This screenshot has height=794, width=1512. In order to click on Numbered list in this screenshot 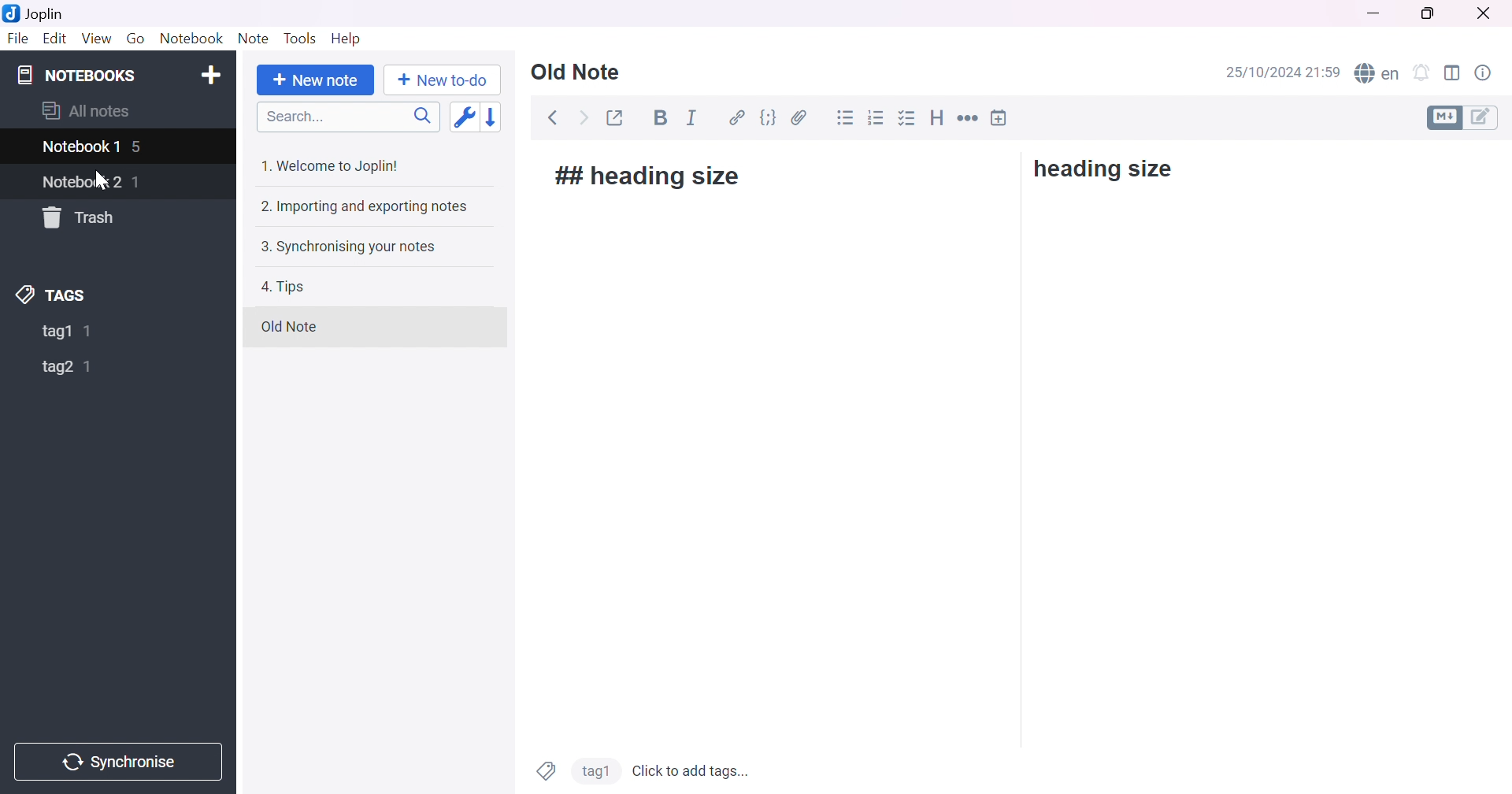, I will do `click(877, 118)`.